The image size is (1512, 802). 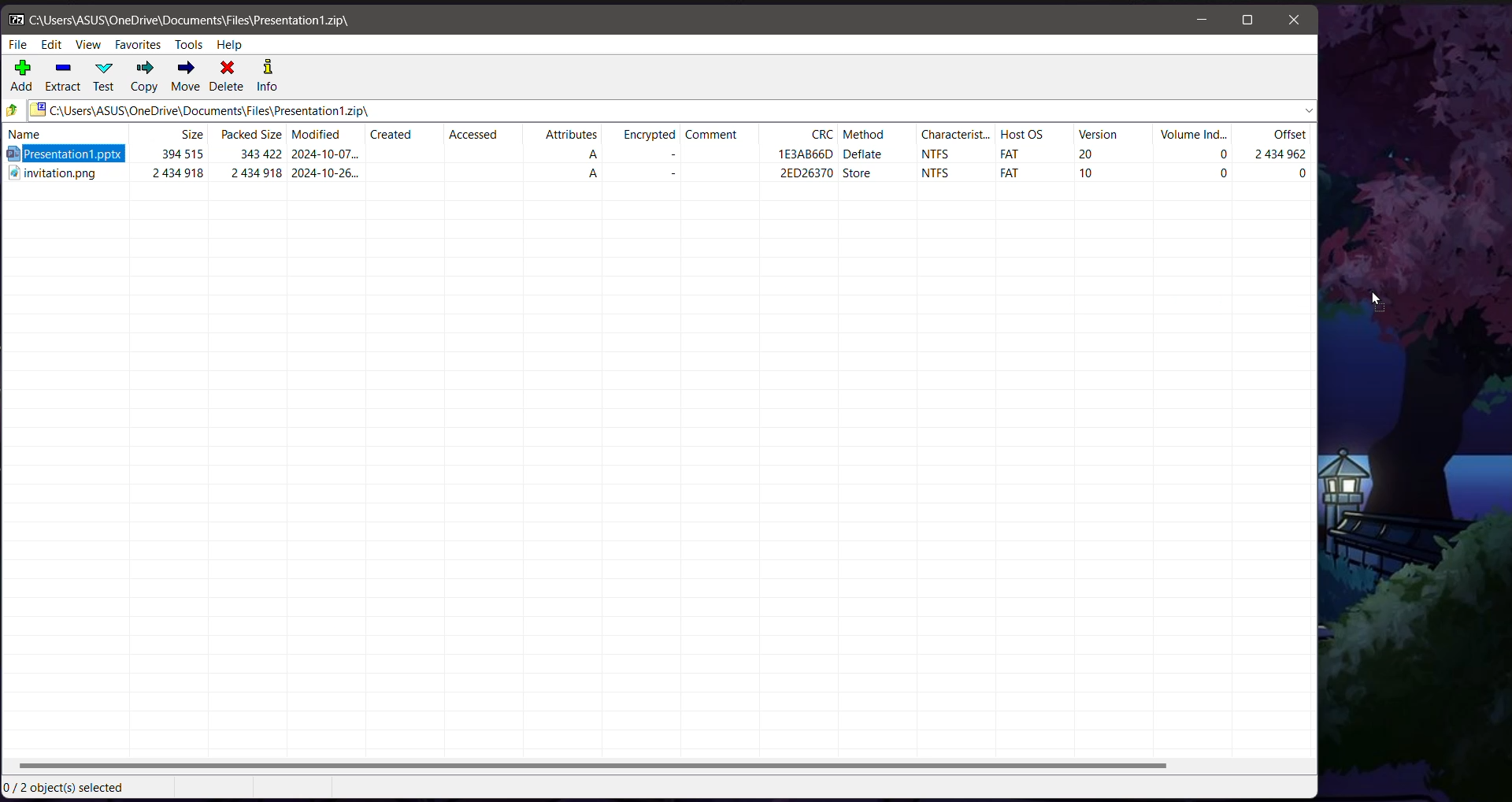 I want to click on FAT, so click(x=1006, y=173).